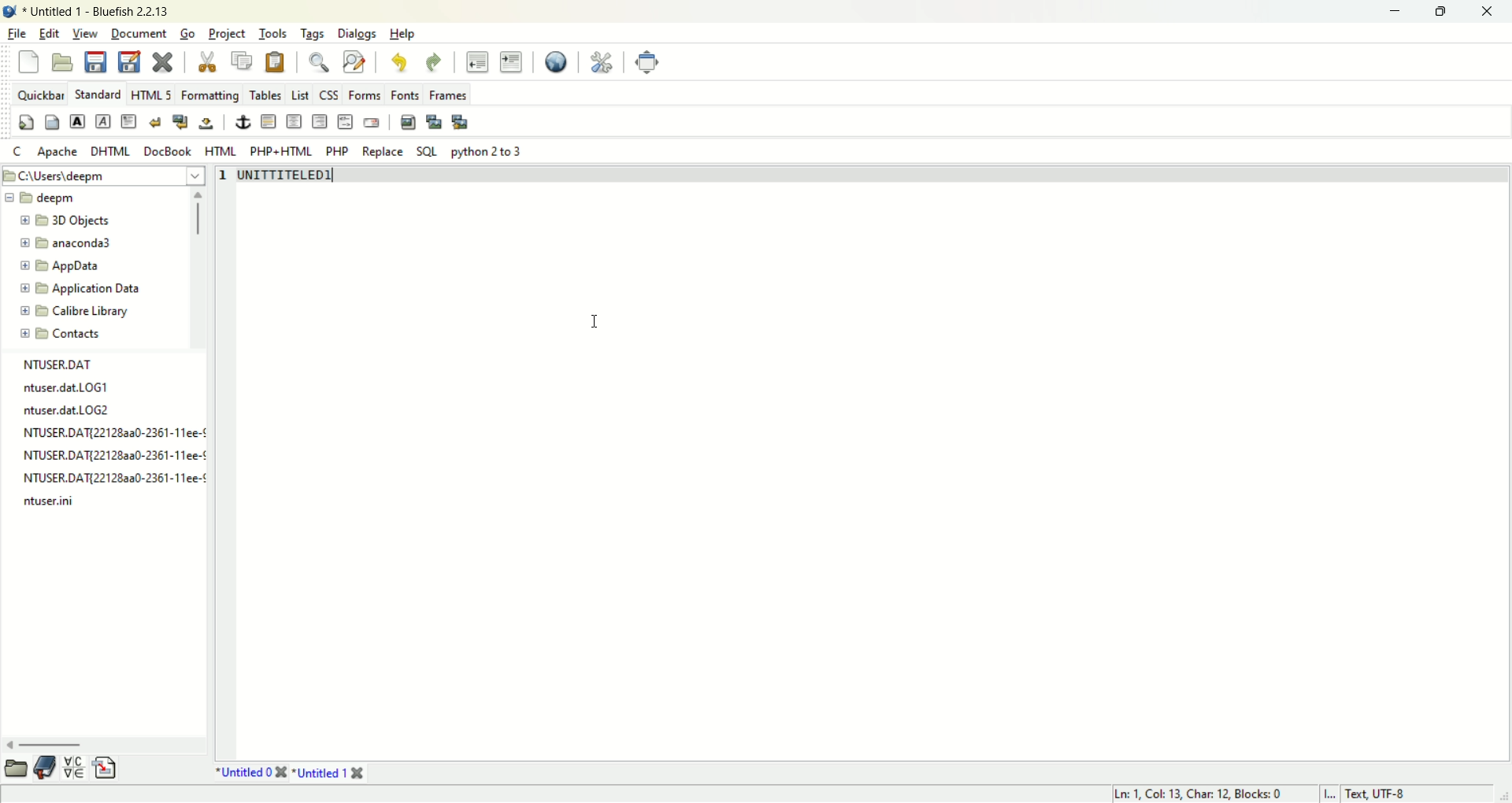  I want to click on fonts, so click(406, 94).